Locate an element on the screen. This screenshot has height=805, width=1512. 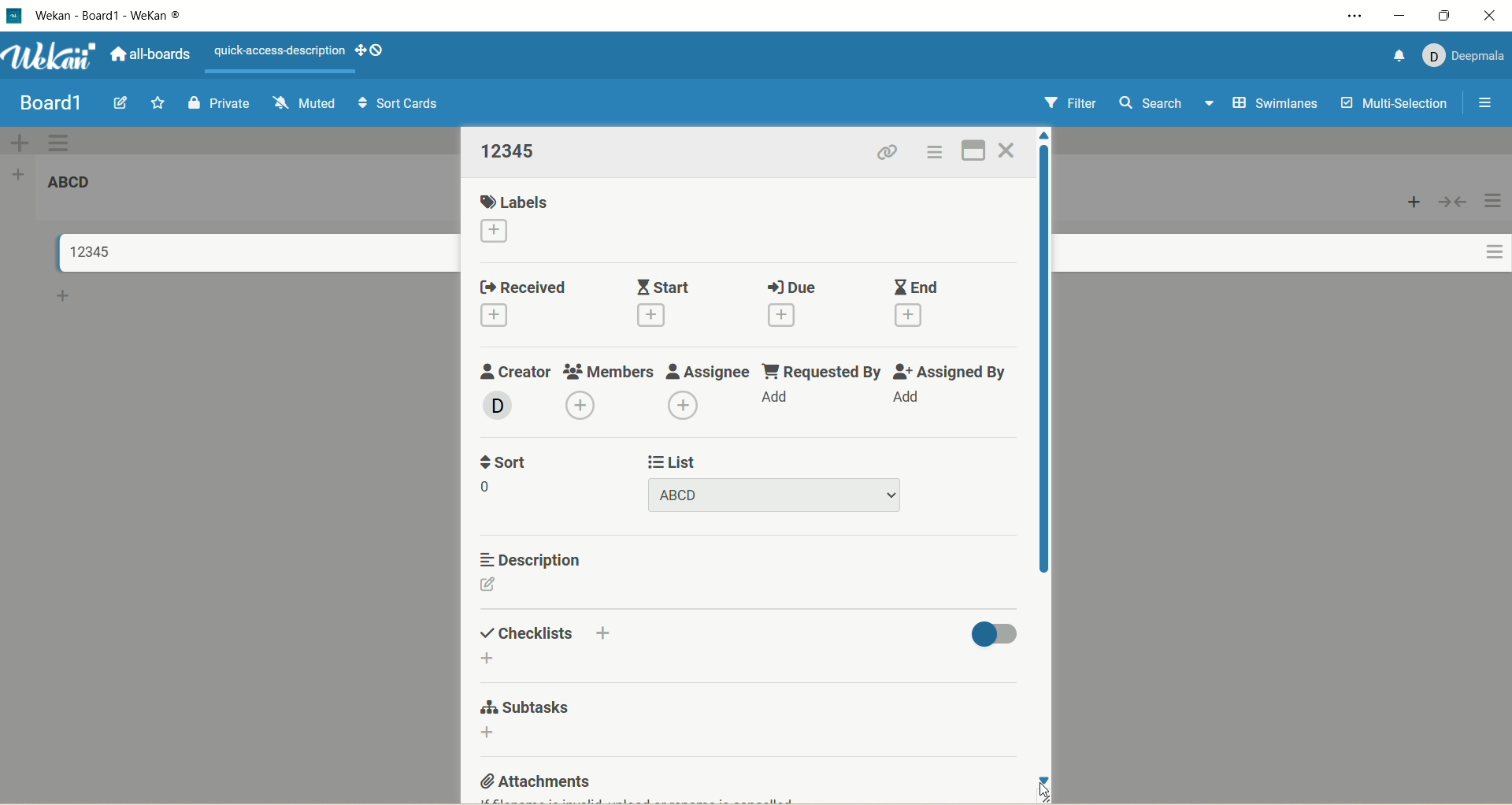
maximize is located at coordinates (1447, 15).